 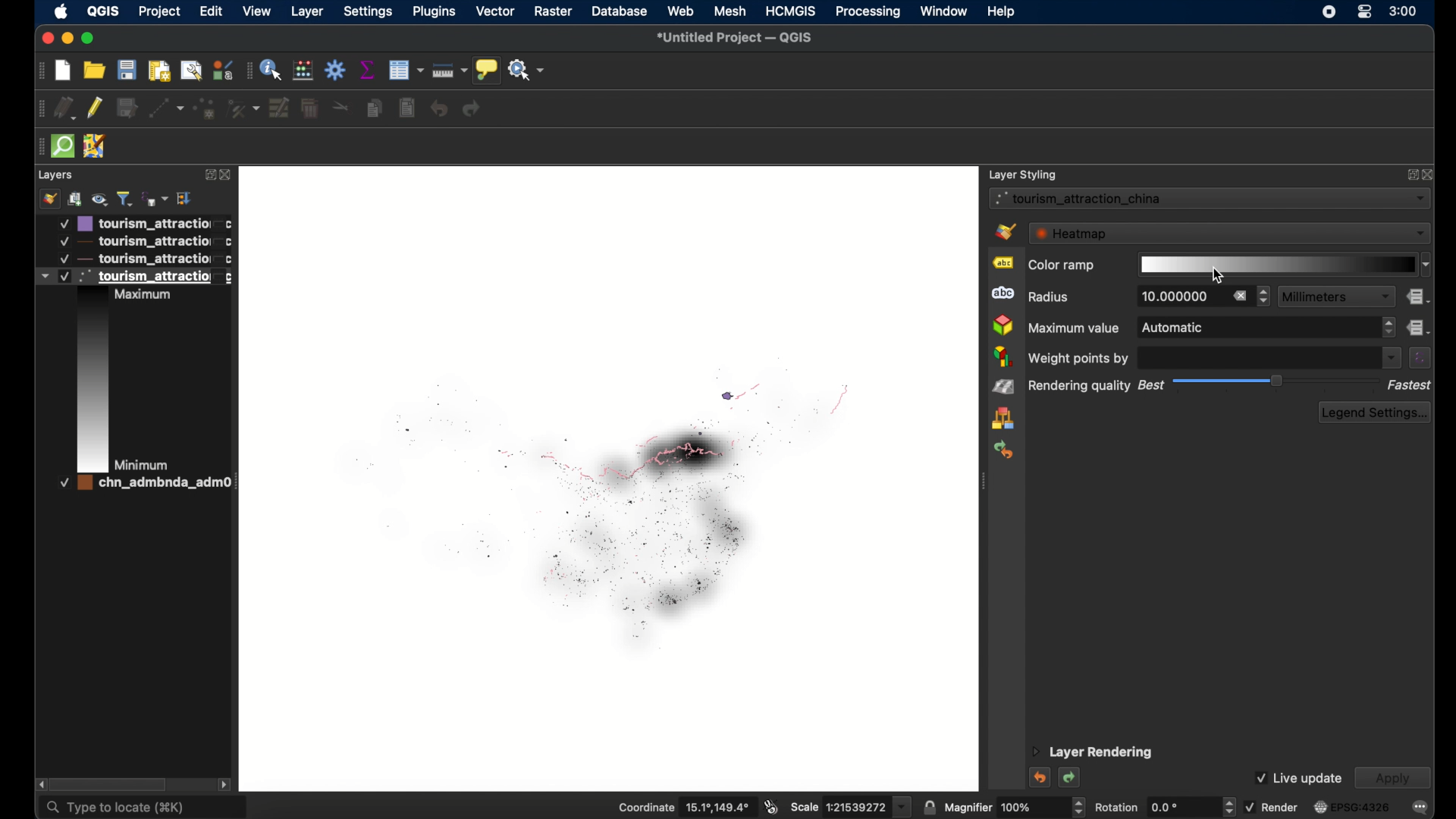 I want to click on HCMGIS, so click(x=791, y=11).